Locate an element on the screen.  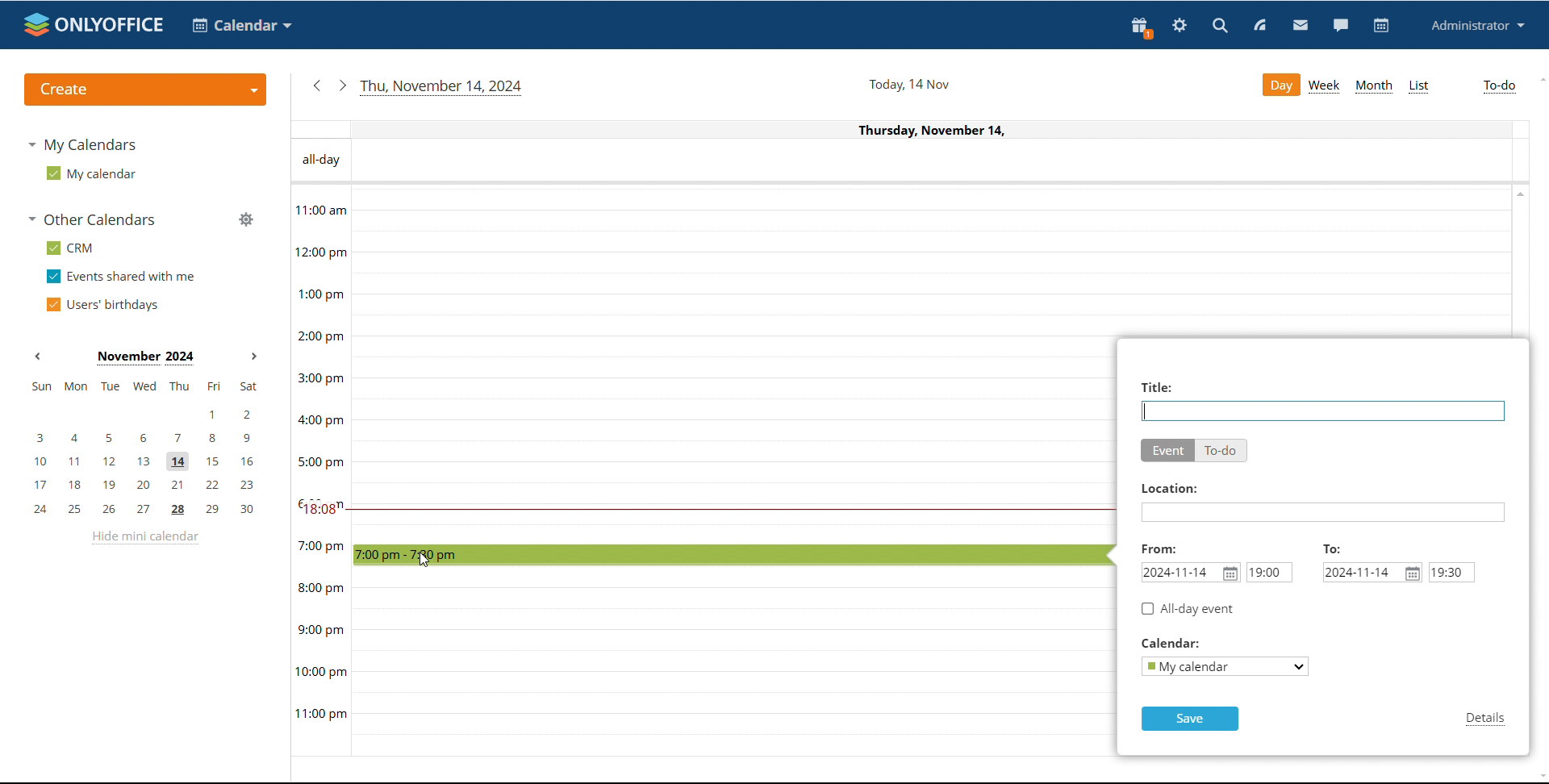
30 min time block is located at coordinates (931, 221).